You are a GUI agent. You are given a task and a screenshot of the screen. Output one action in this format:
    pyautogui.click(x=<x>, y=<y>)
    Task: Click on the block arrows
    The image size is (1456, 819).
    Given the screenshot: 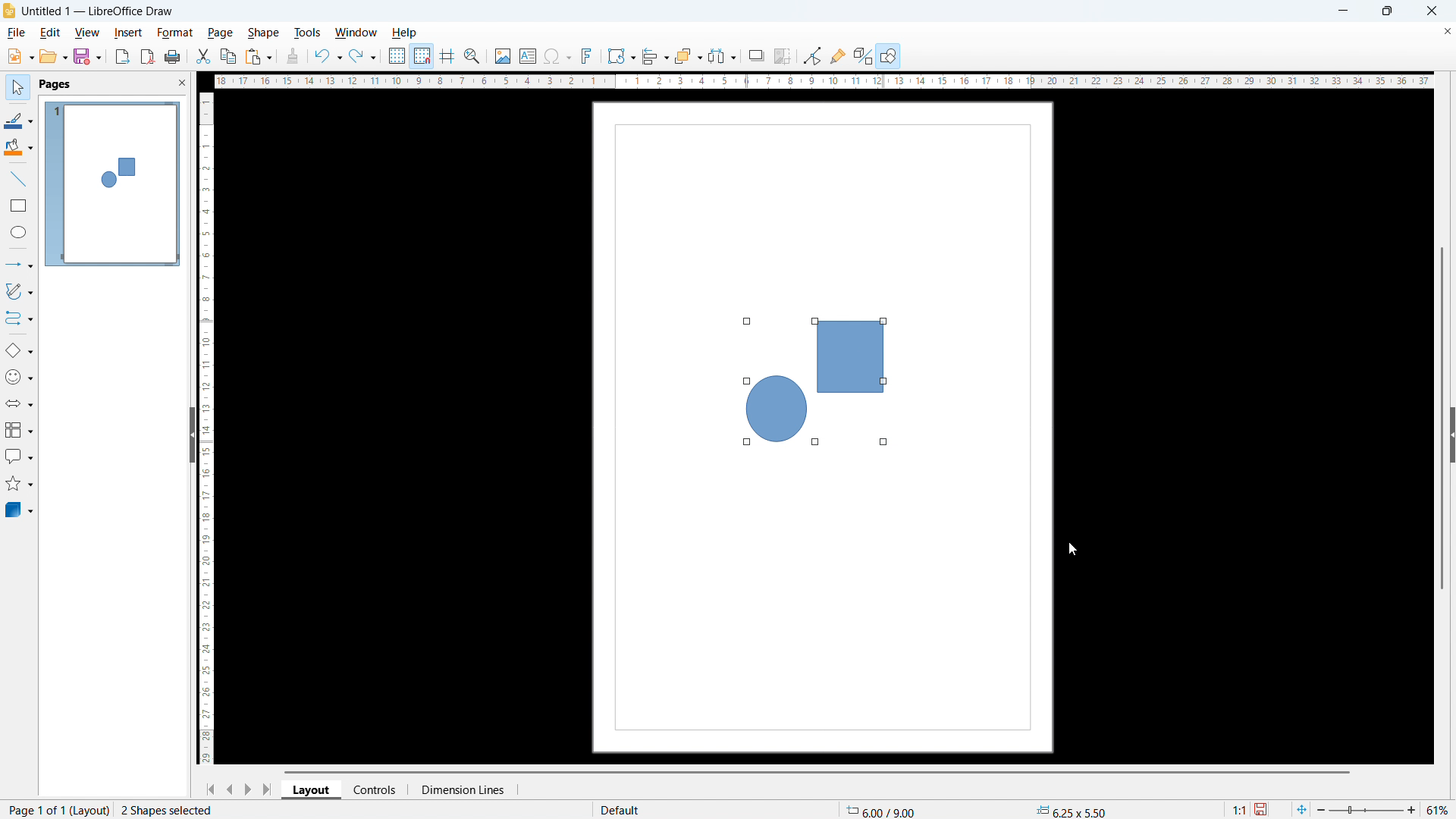 What is the action you would take?
    pyautogui.click(x=20, y=403)
    